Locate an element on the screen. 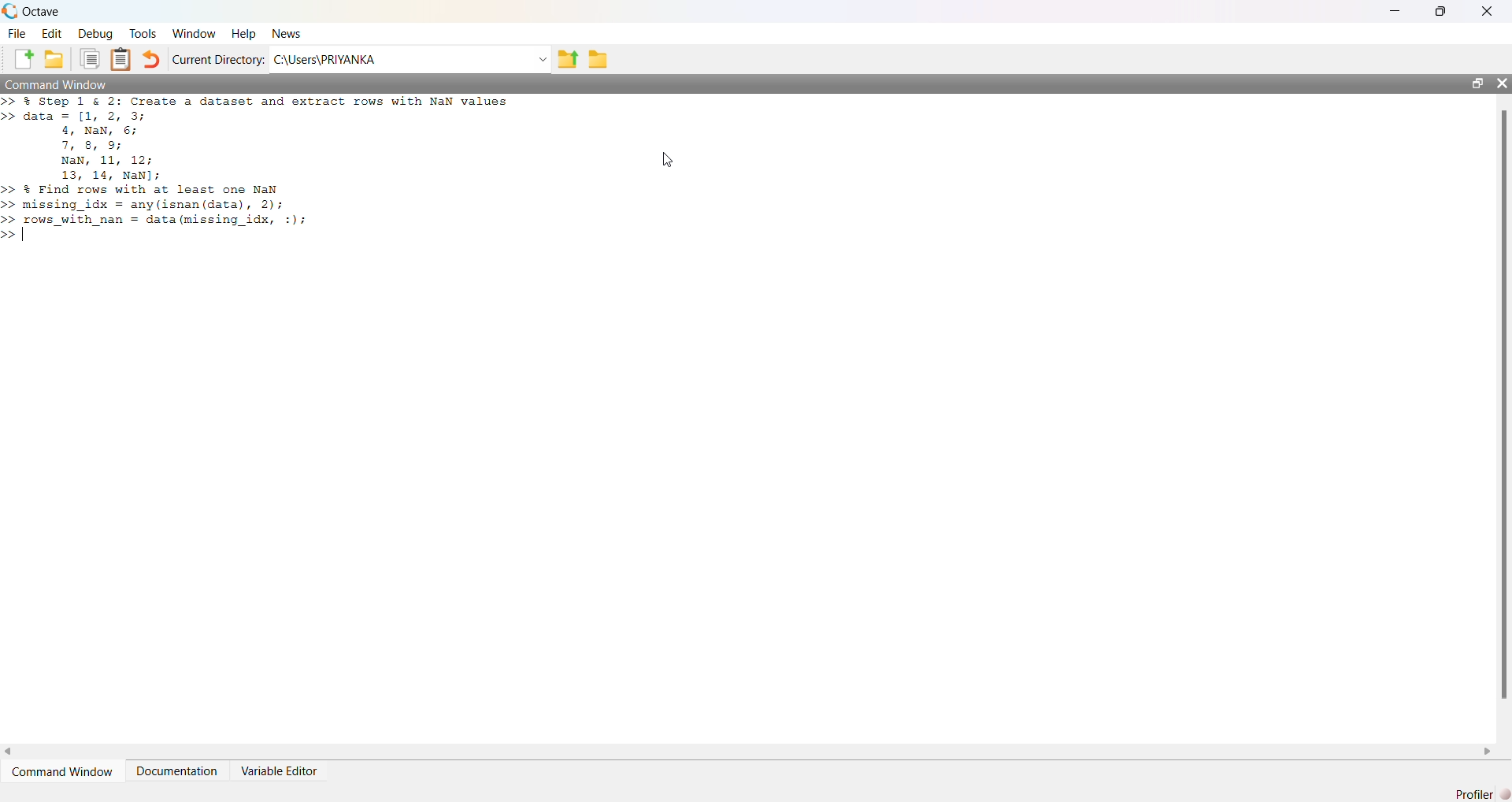 The width and height of the screenshot is (1512, 802). scroll right is located at coordinates (1488, 752).